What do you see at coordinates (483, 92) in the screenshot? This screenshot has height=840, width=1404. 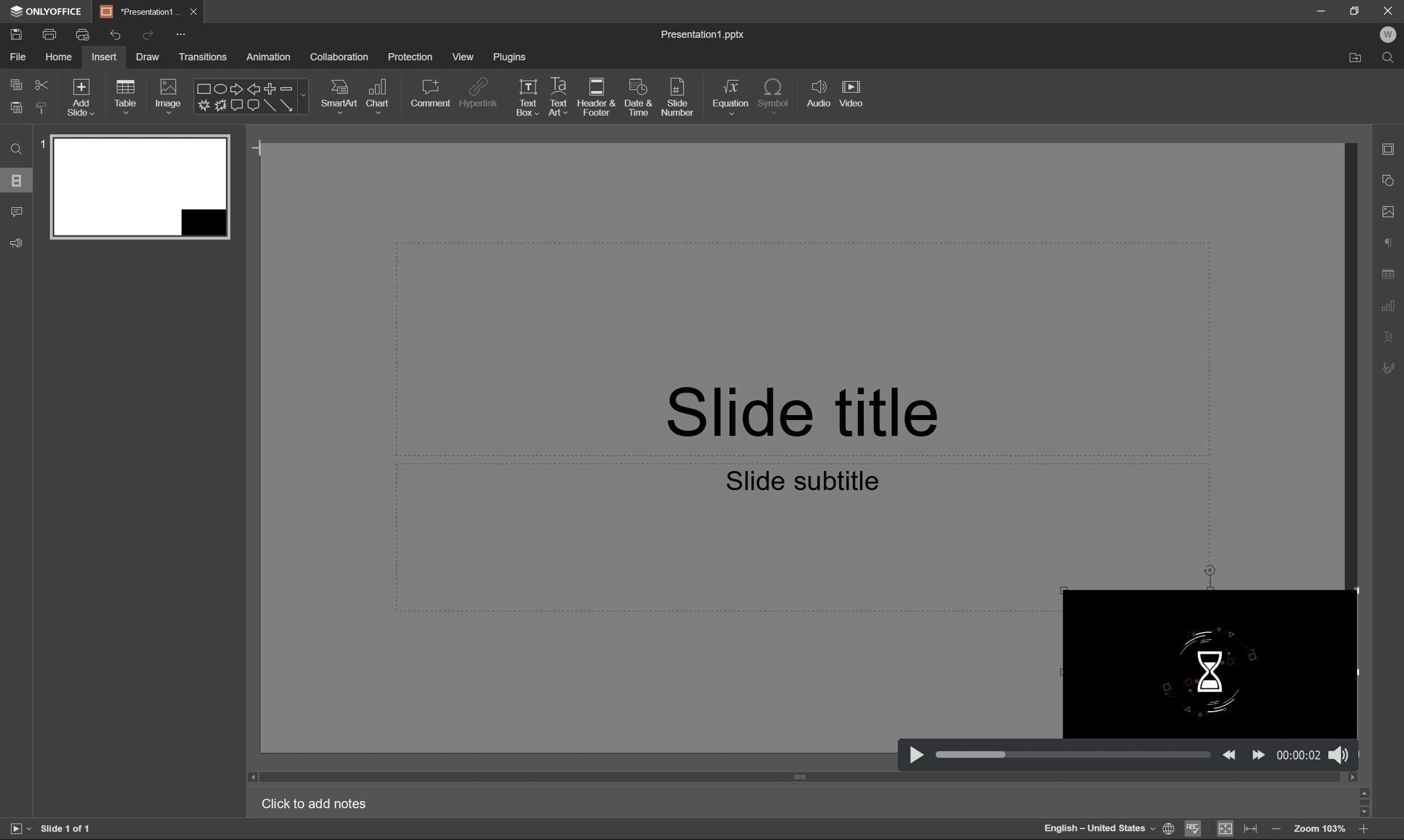 I see `hyperlink` at bounding box center [483, 92].